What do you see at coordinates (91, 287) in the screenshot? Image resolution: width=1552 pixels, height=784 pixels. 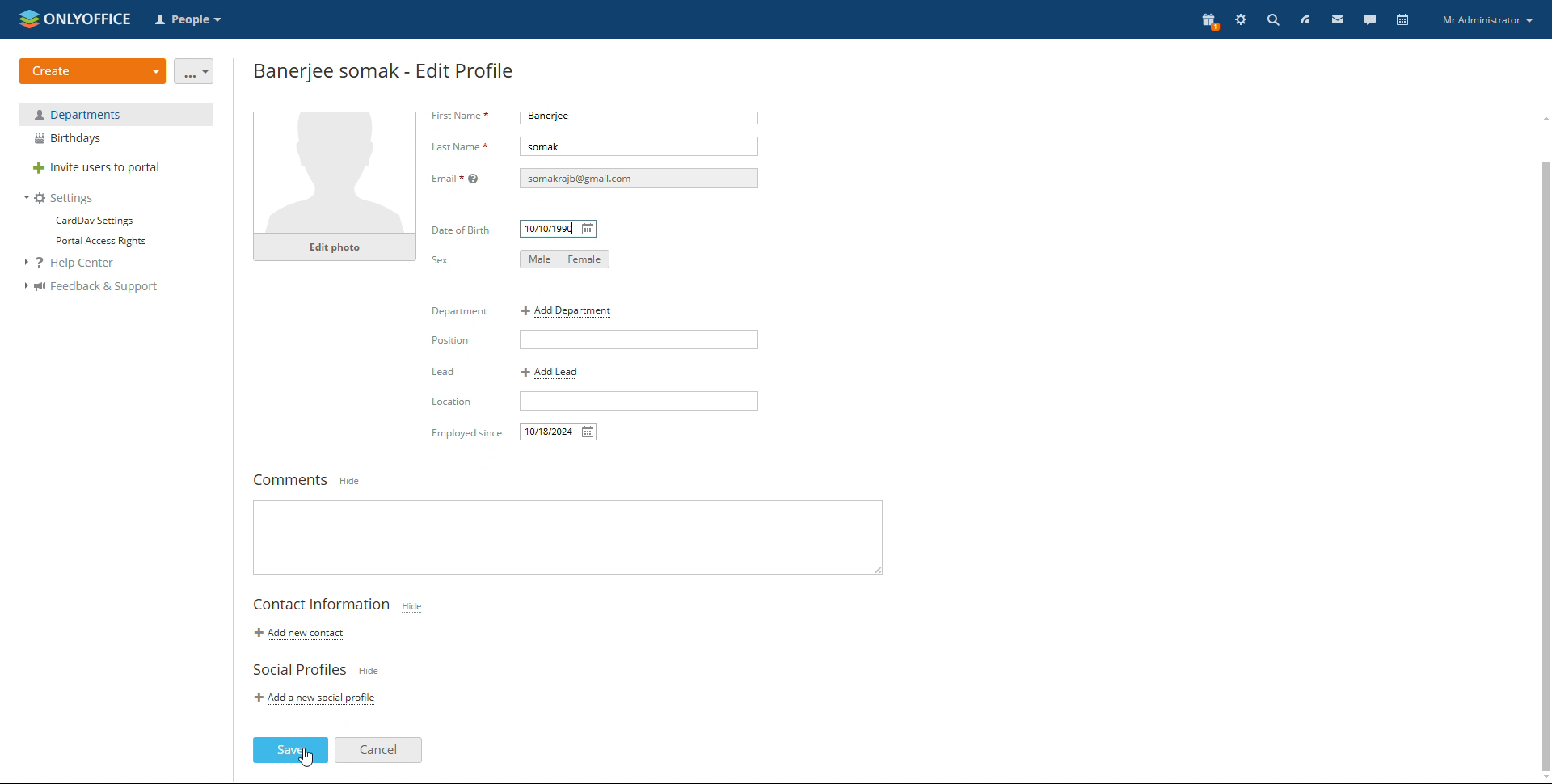 I see `feedback and support` at bounding box center [91, 287].